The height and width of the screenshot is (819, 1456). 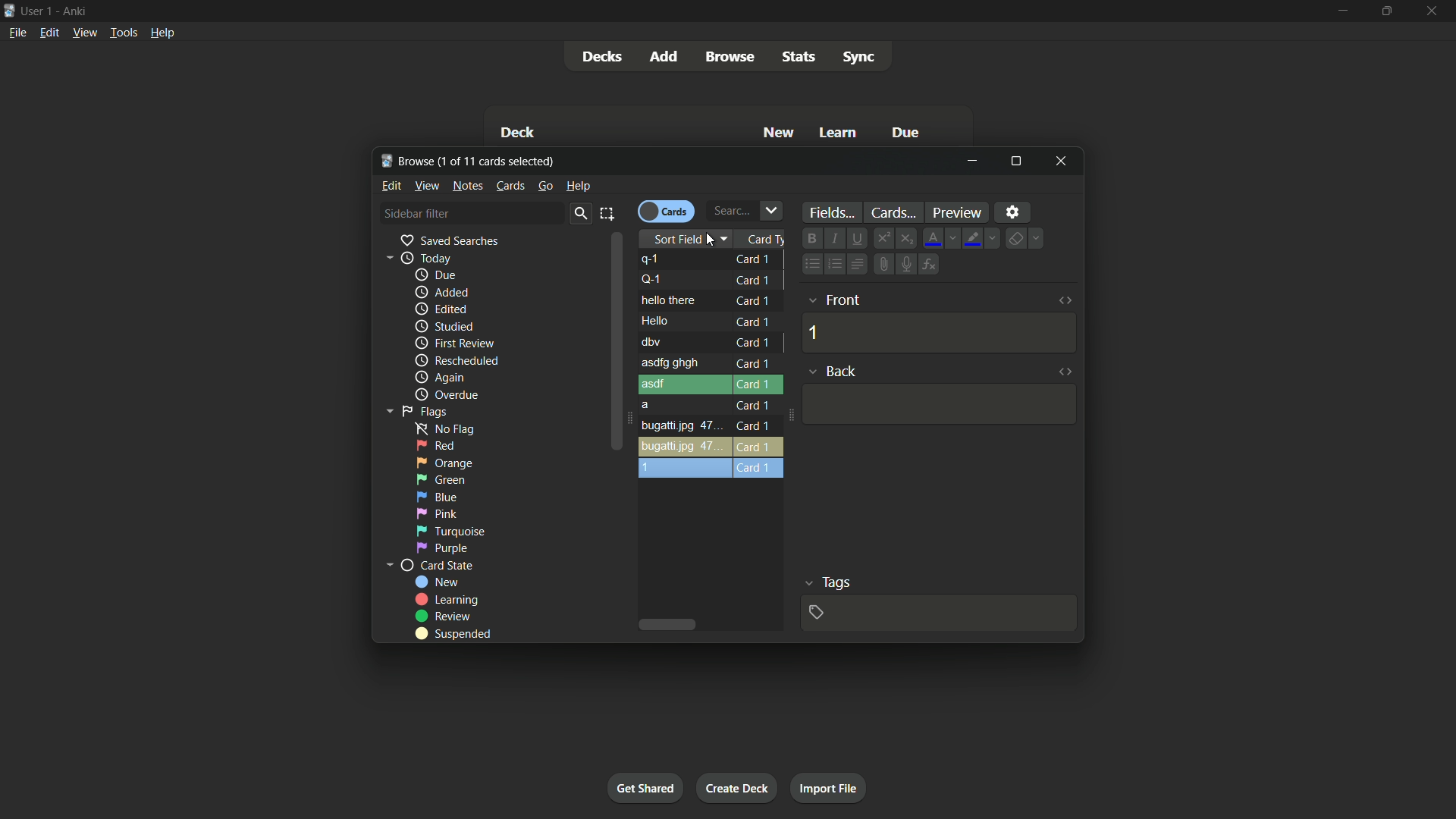 I want to click on suspended, so click(x=453, y=634).